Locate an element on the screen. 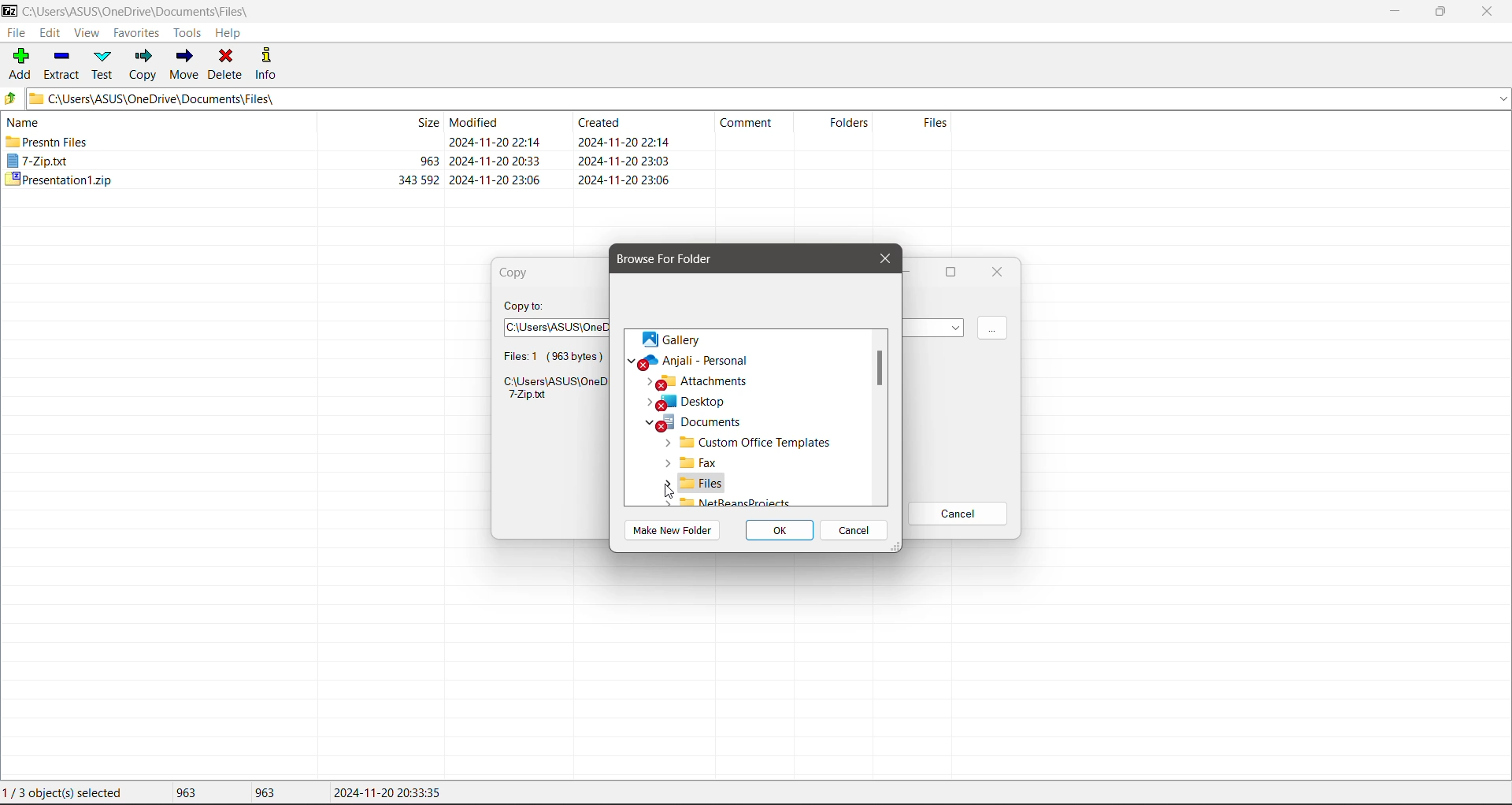 This screenshot has width=1512, height=805. Selected file location path is located at coordinates (550, 391).